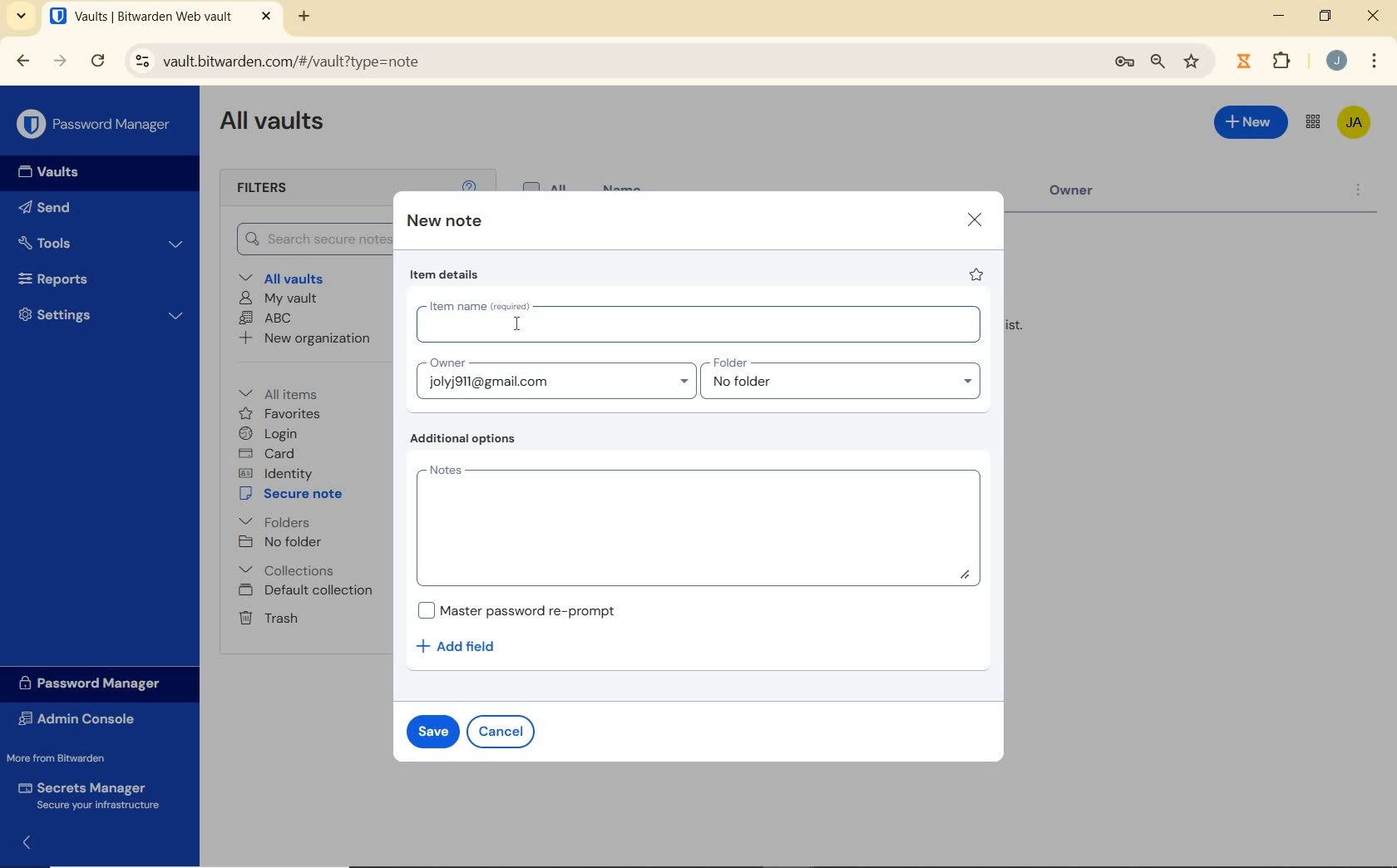  Describe the element at coordinates (978, 274) in the screenshot. I see `favorite` at that location.